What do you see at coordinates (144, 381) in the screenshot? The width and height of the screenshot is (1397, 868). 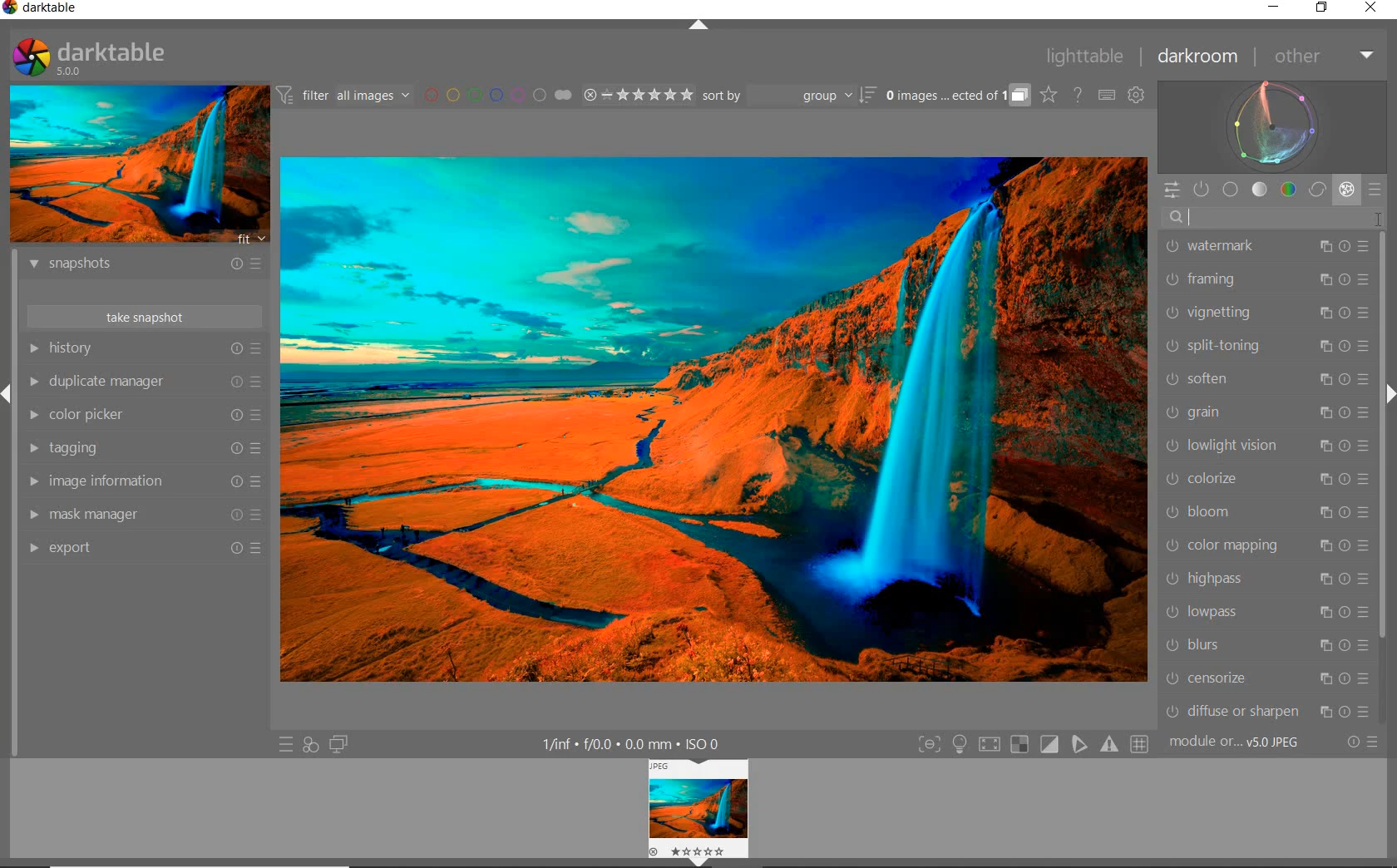 I see `duplicate manager` at bounding box center [144, 381].